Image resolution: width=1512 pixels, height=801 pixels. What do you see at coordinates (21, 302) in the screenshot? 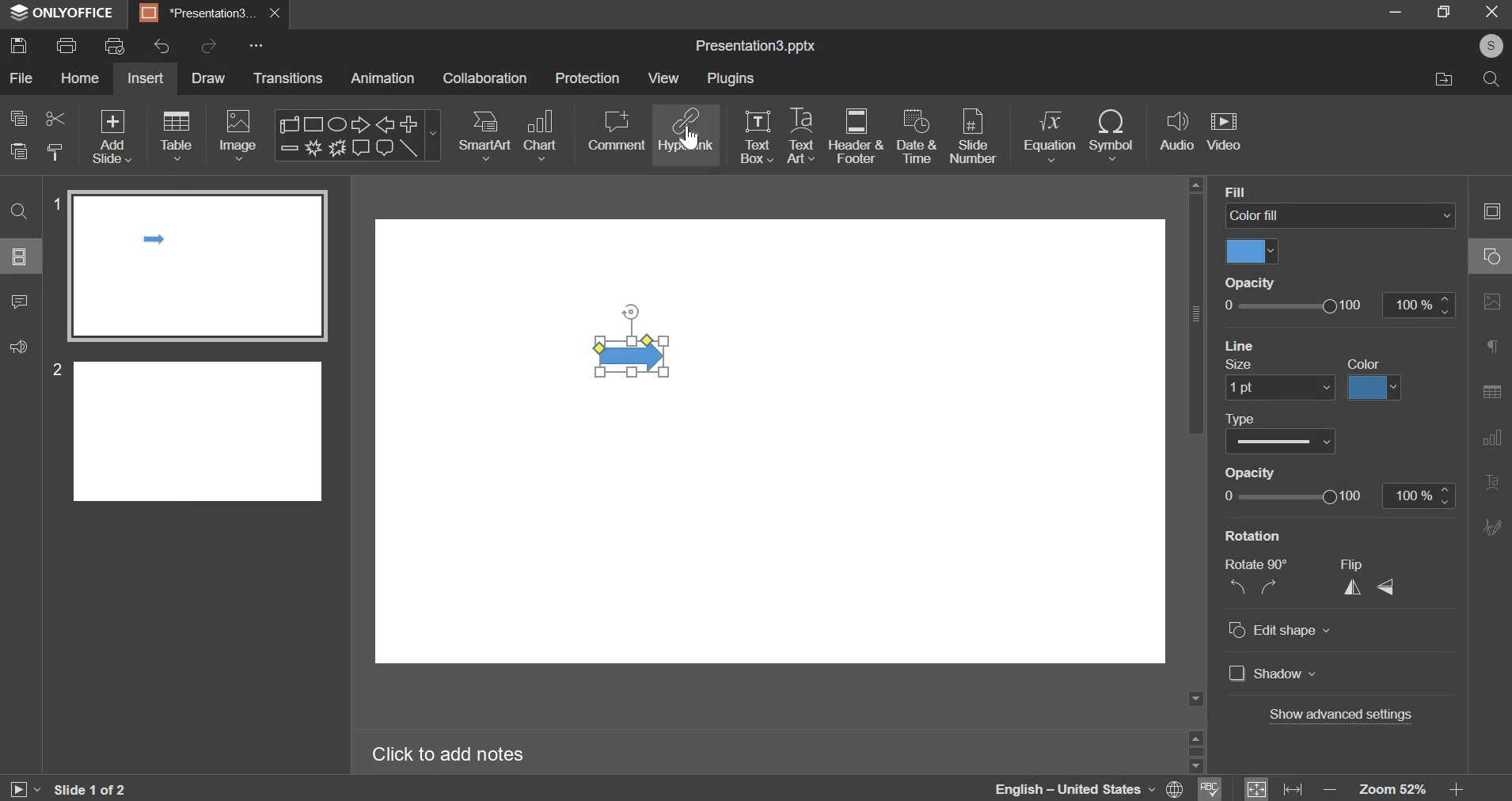
I see `comment` at bounding box center [21, 302].